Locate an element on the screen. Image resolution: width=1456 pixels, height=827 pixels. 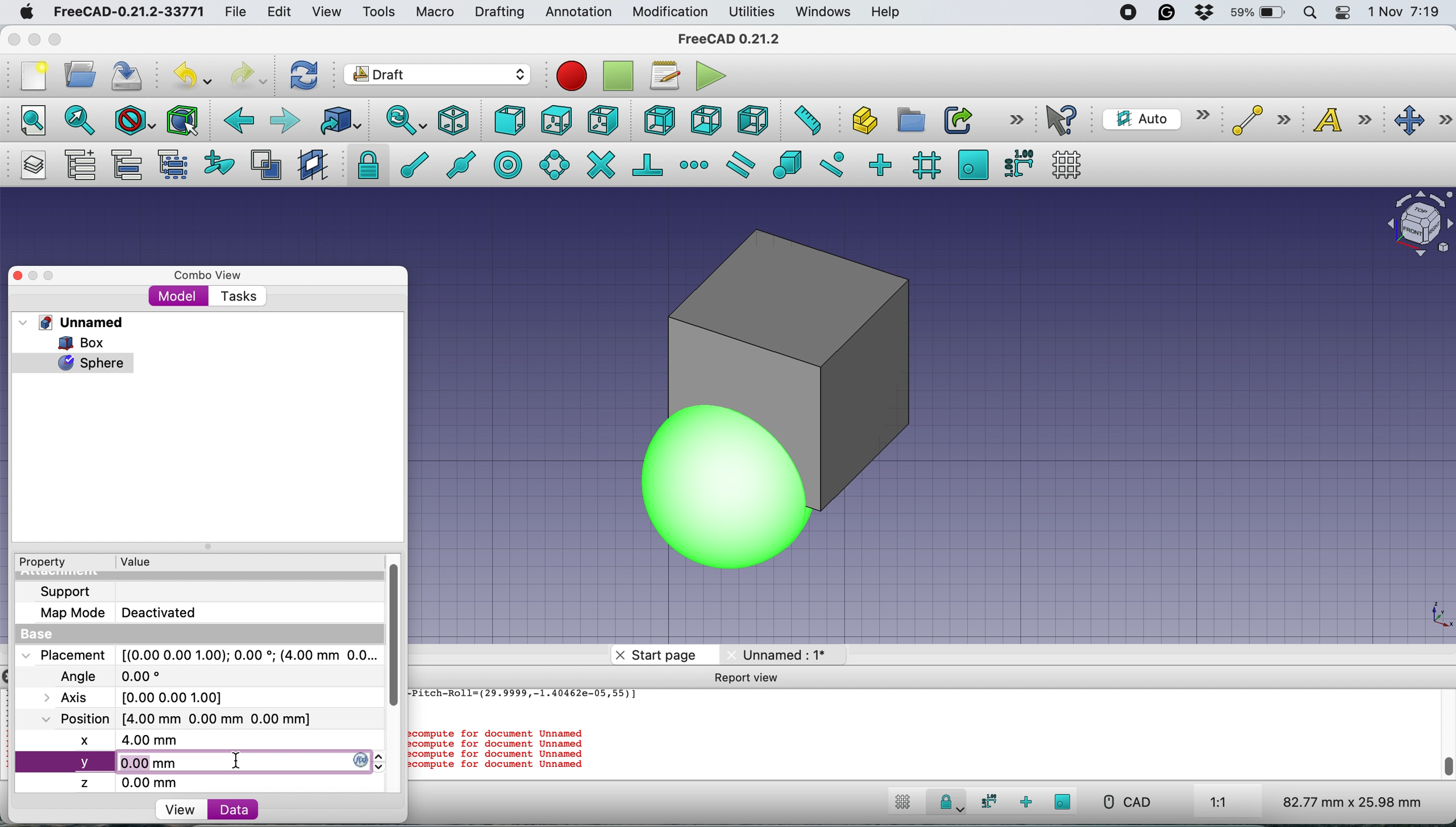
line is located at coordinates (1258, 120).